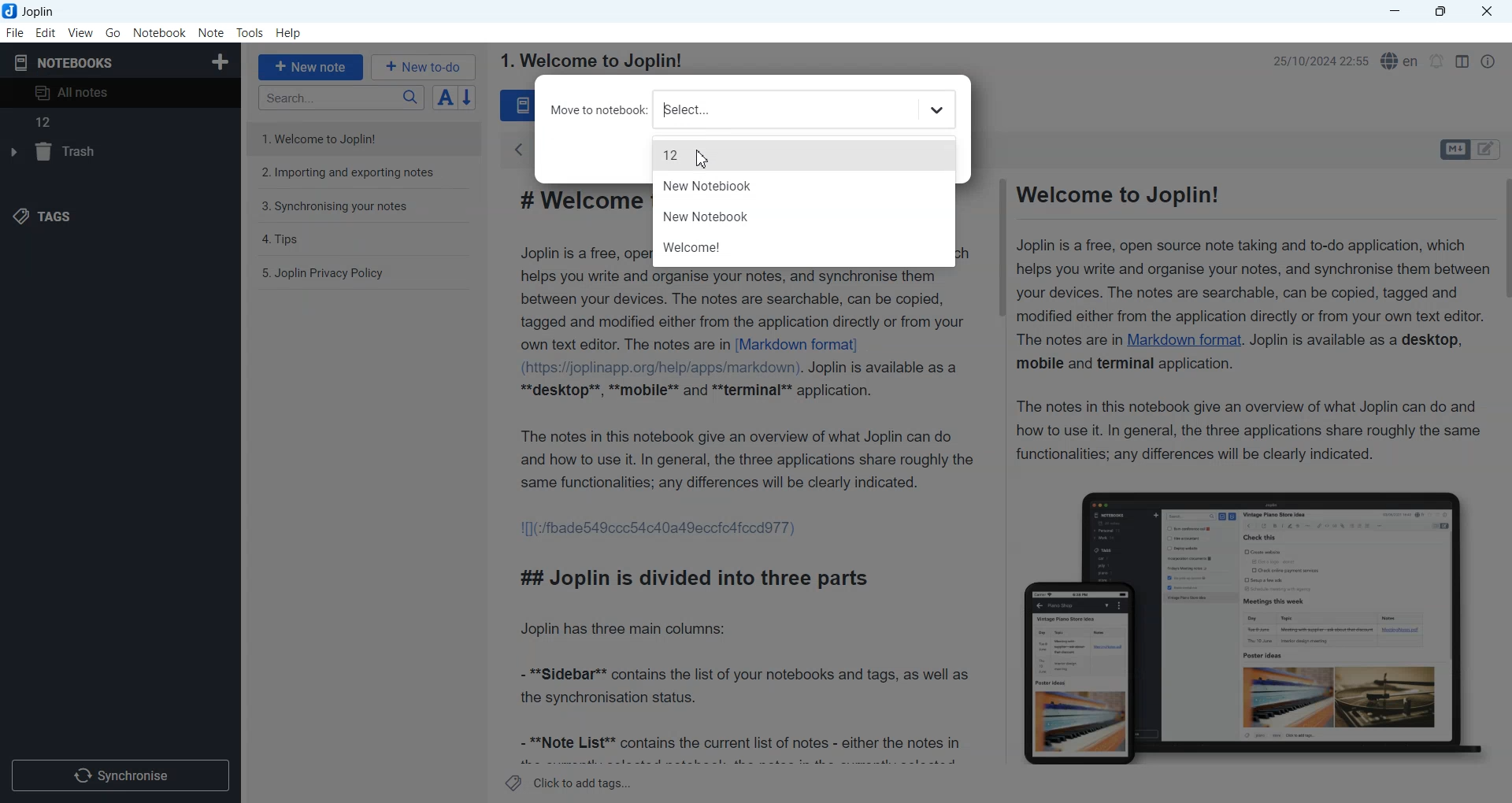 The image size is (1512, 803). What do you see at coordinates (806, 153) in the screenshot?
I see `12` at bounding box center [806, 153].